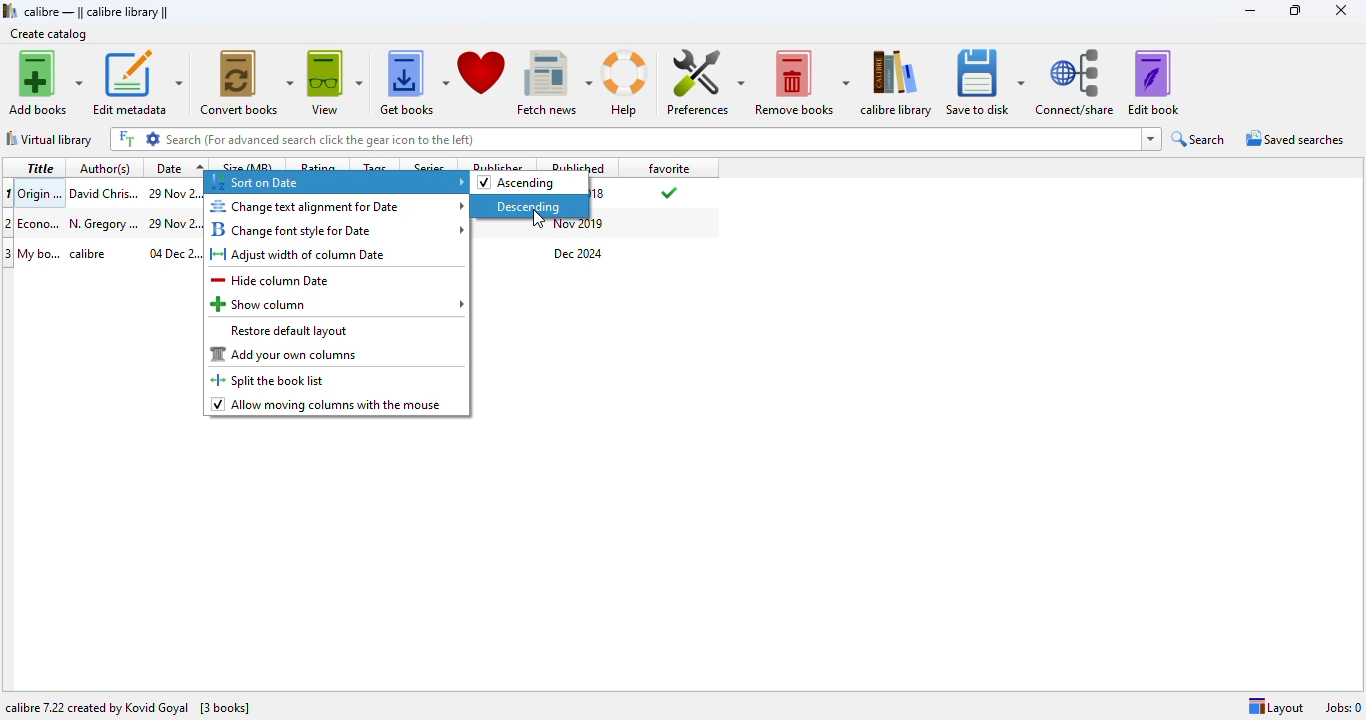  What do you see at coordinates (9, 223) in the screenshot?
I see `2` at bounding box center [9, 223].